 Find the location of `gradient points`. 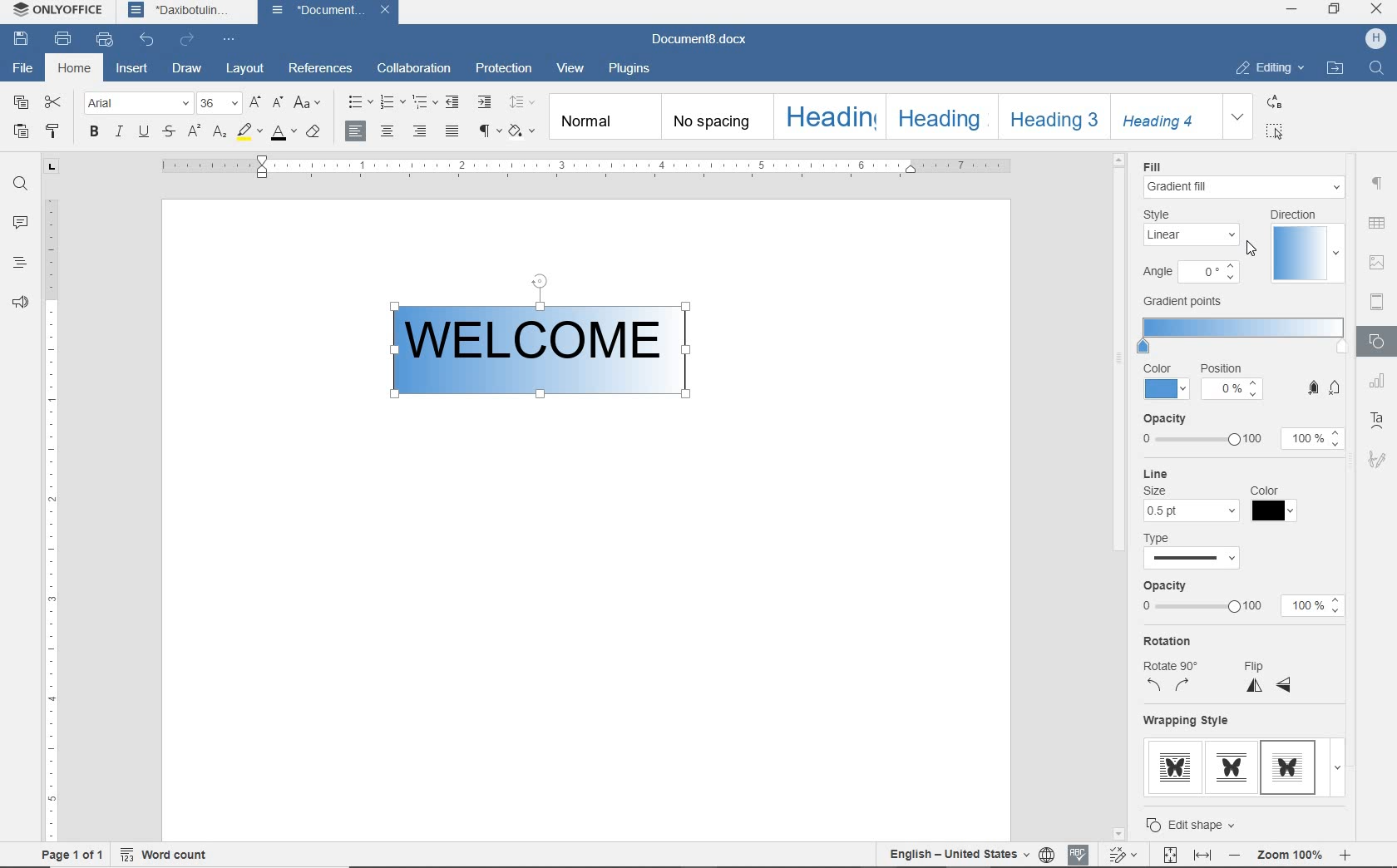

gradient points is located at coordinates (1242, 337).